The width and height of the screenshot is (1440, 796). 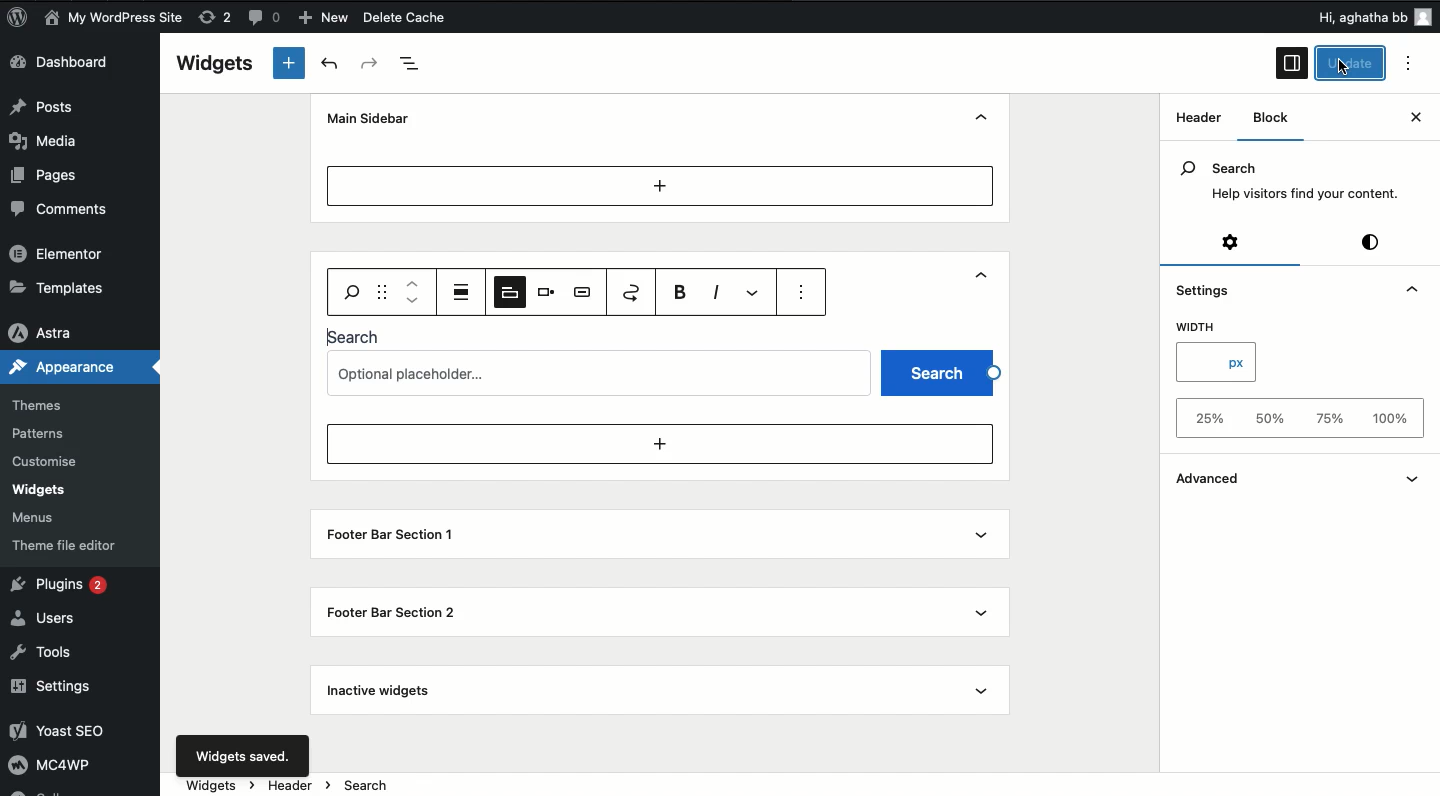 What do you see at coordinates (1348, 71) in the screenshot?
I see `cursor` at bounding box center [1348, 71].